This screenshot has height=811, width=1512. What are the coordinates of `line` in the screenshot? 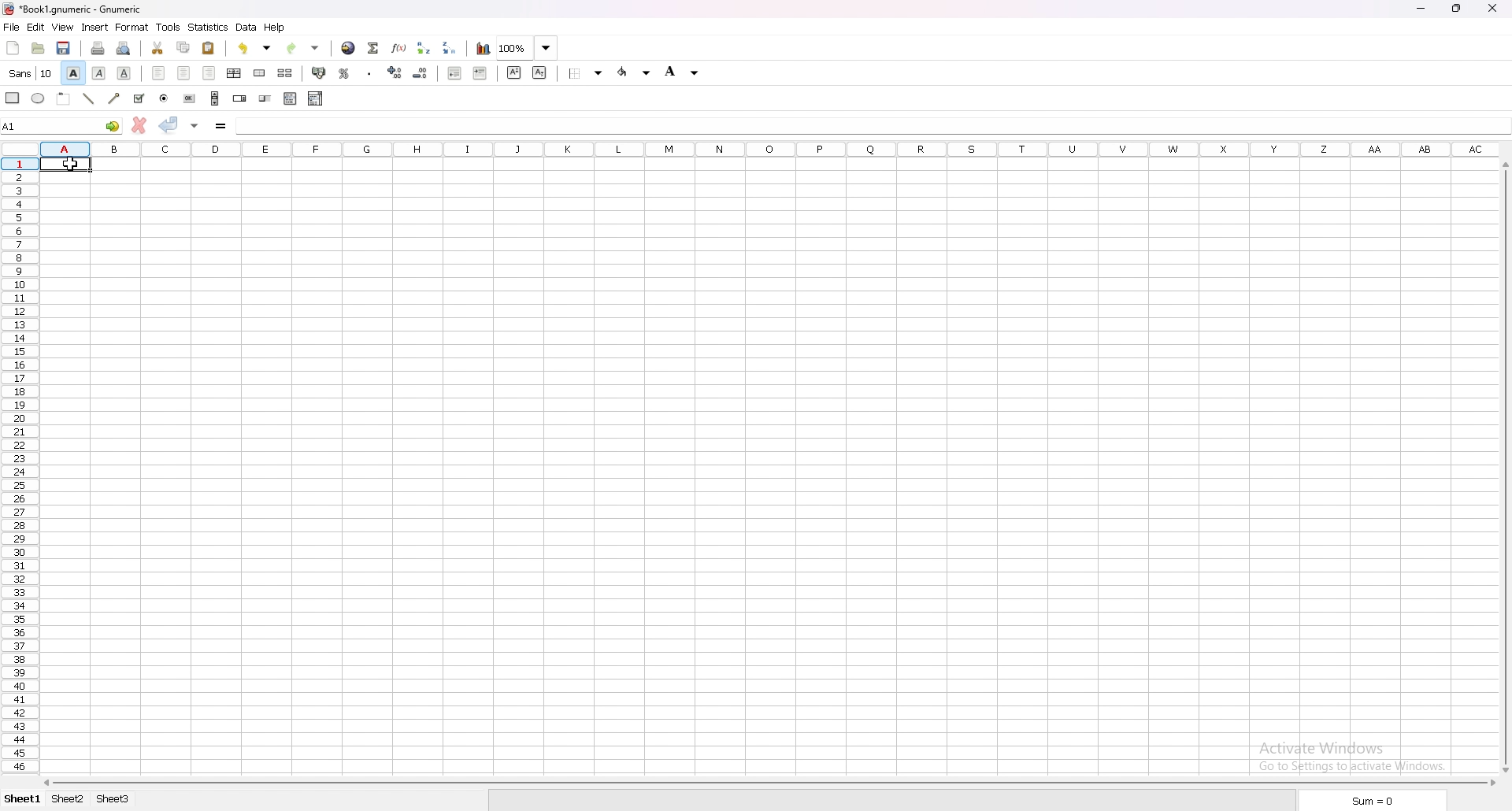 It's located at (90, 98).